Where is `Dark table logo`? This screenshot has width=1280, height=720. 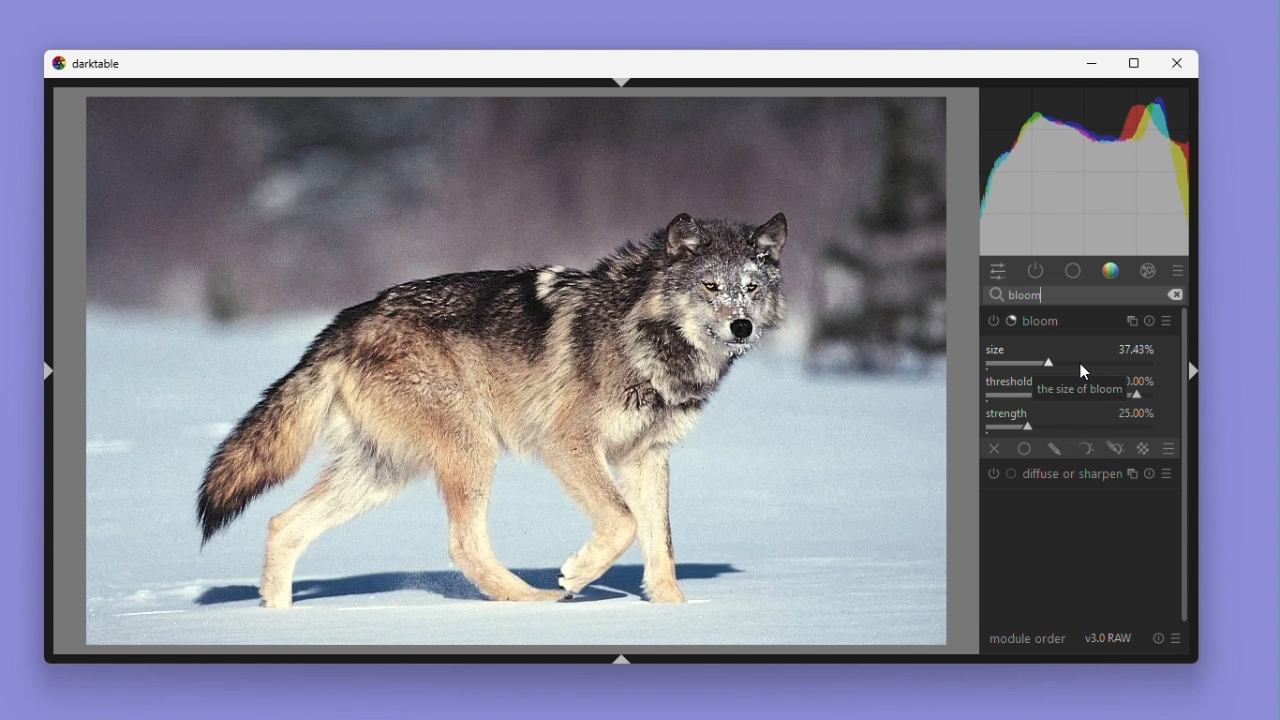
Dark table logo is located at coordinates (54, 64).